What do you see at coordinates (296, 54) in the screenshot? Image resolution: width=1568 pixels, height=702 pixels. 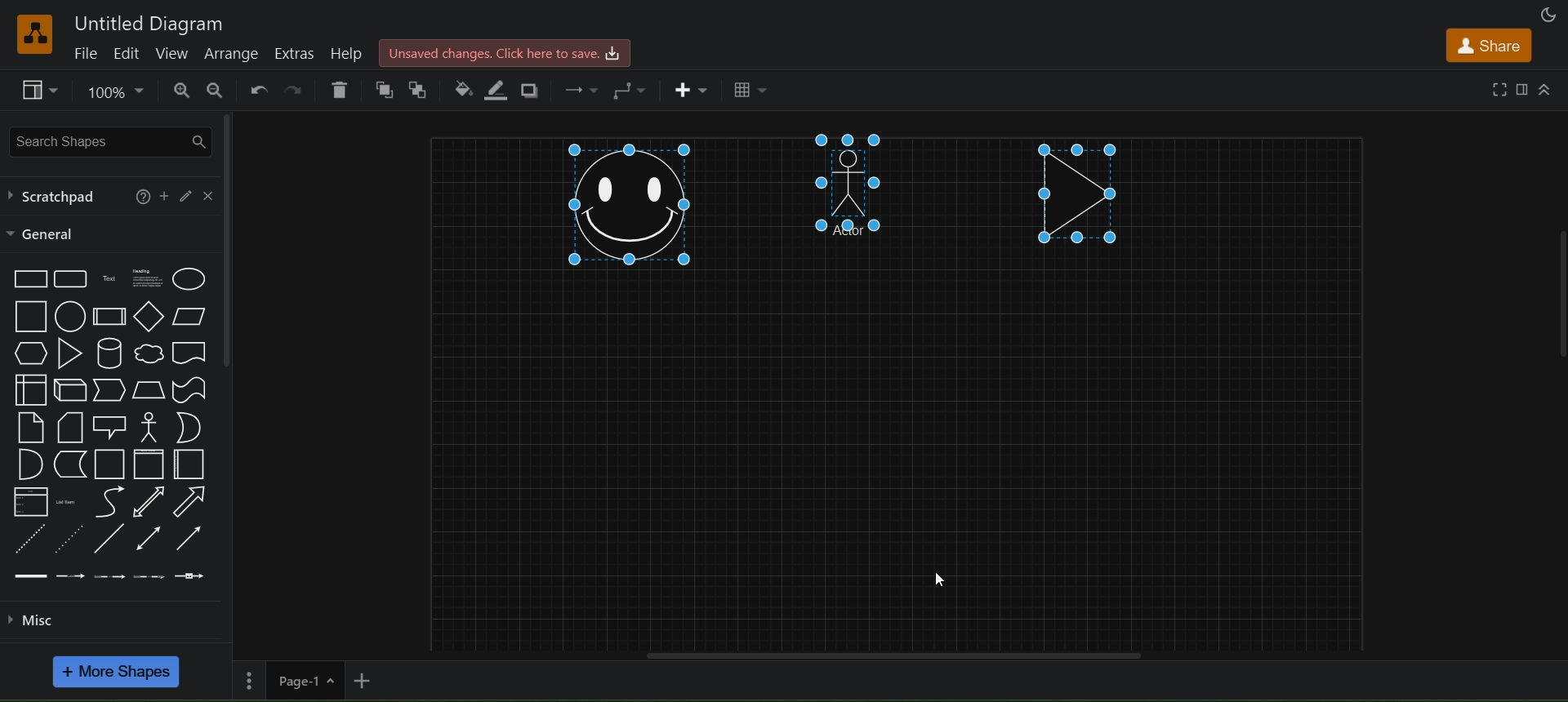 I see `extras` at bounding box center [296, 54].